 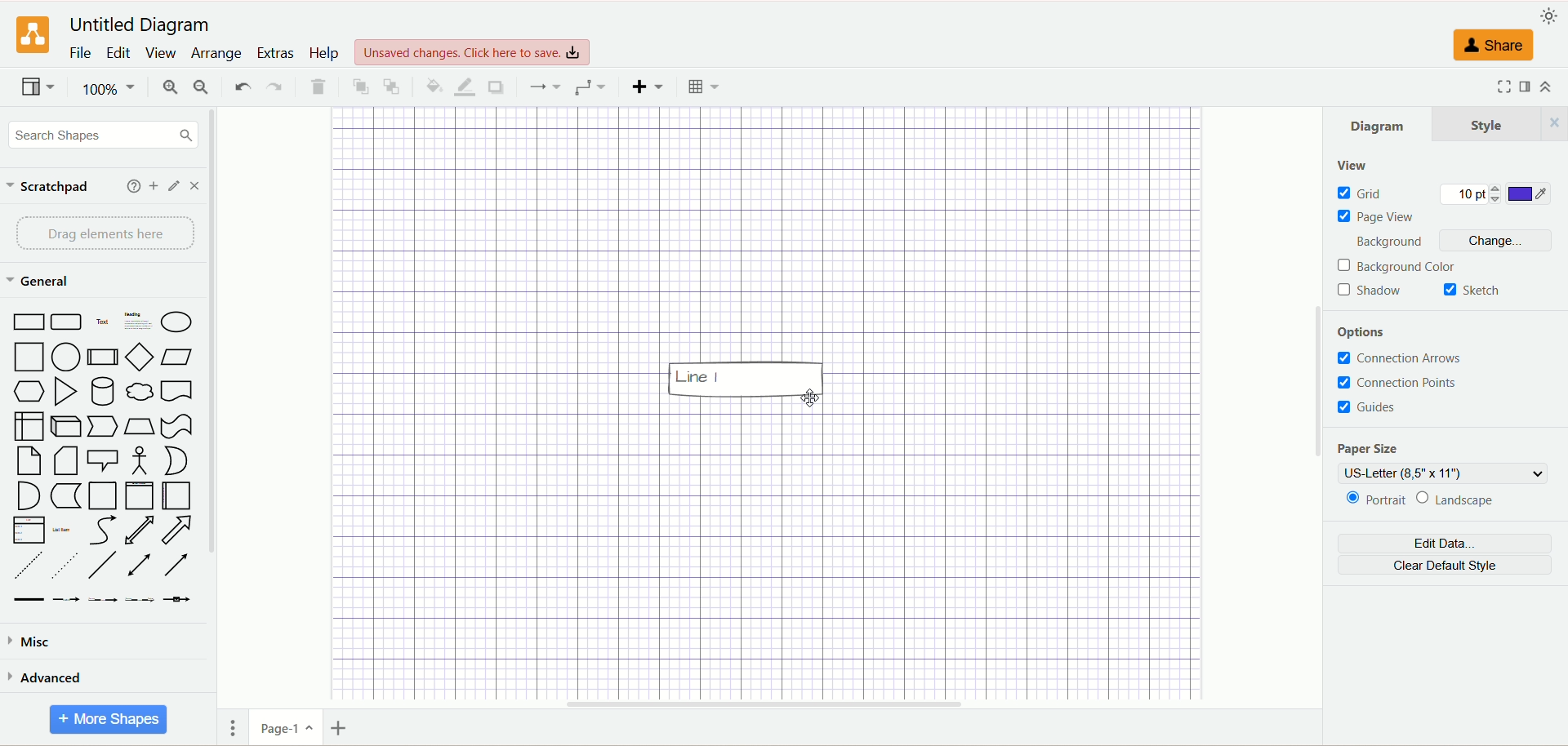 What do you see at coordinates (1402, 359) in the screenshot?
I see `connection arrow` at bounding box center [1402, 359].